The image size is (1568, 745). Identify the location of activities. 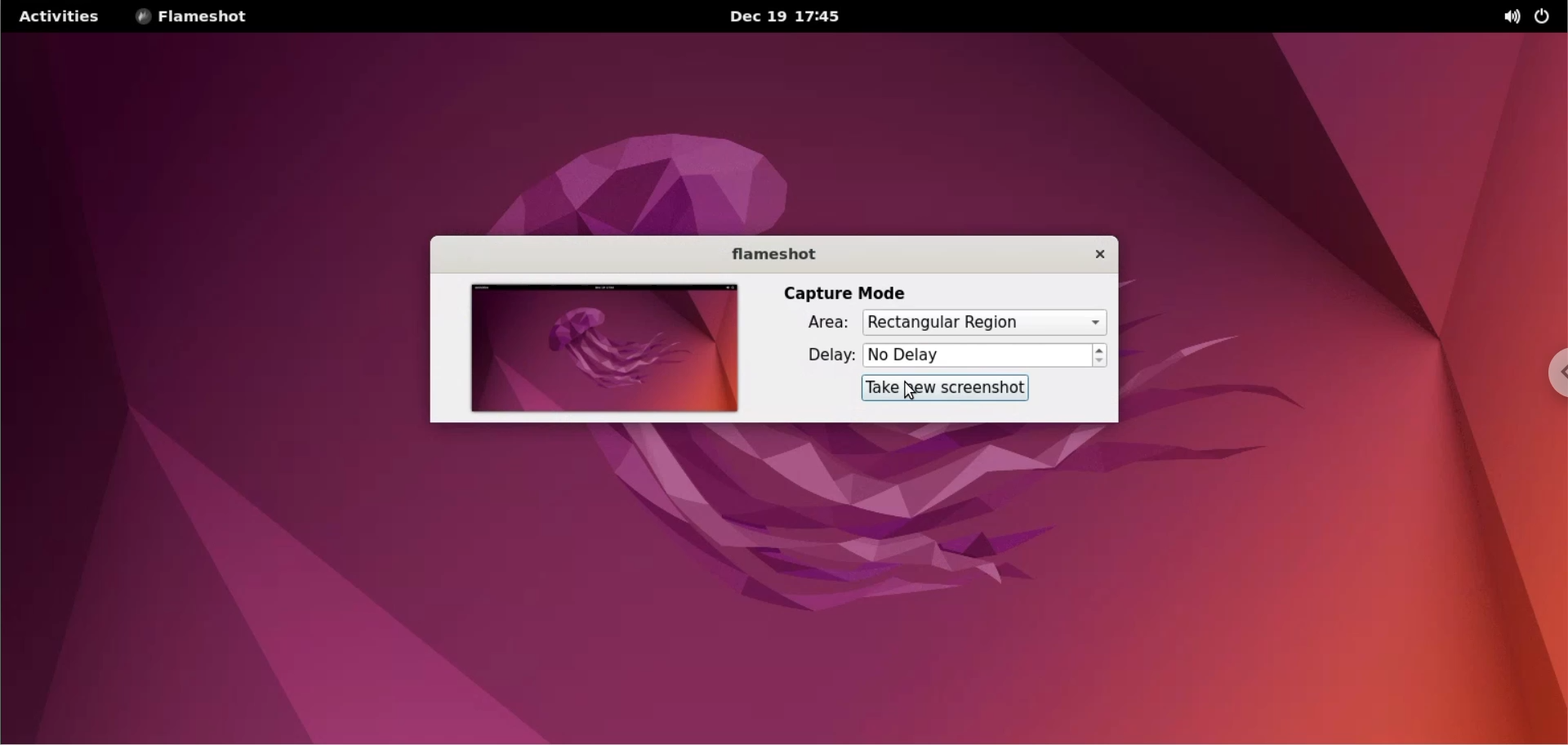
(65, 17).